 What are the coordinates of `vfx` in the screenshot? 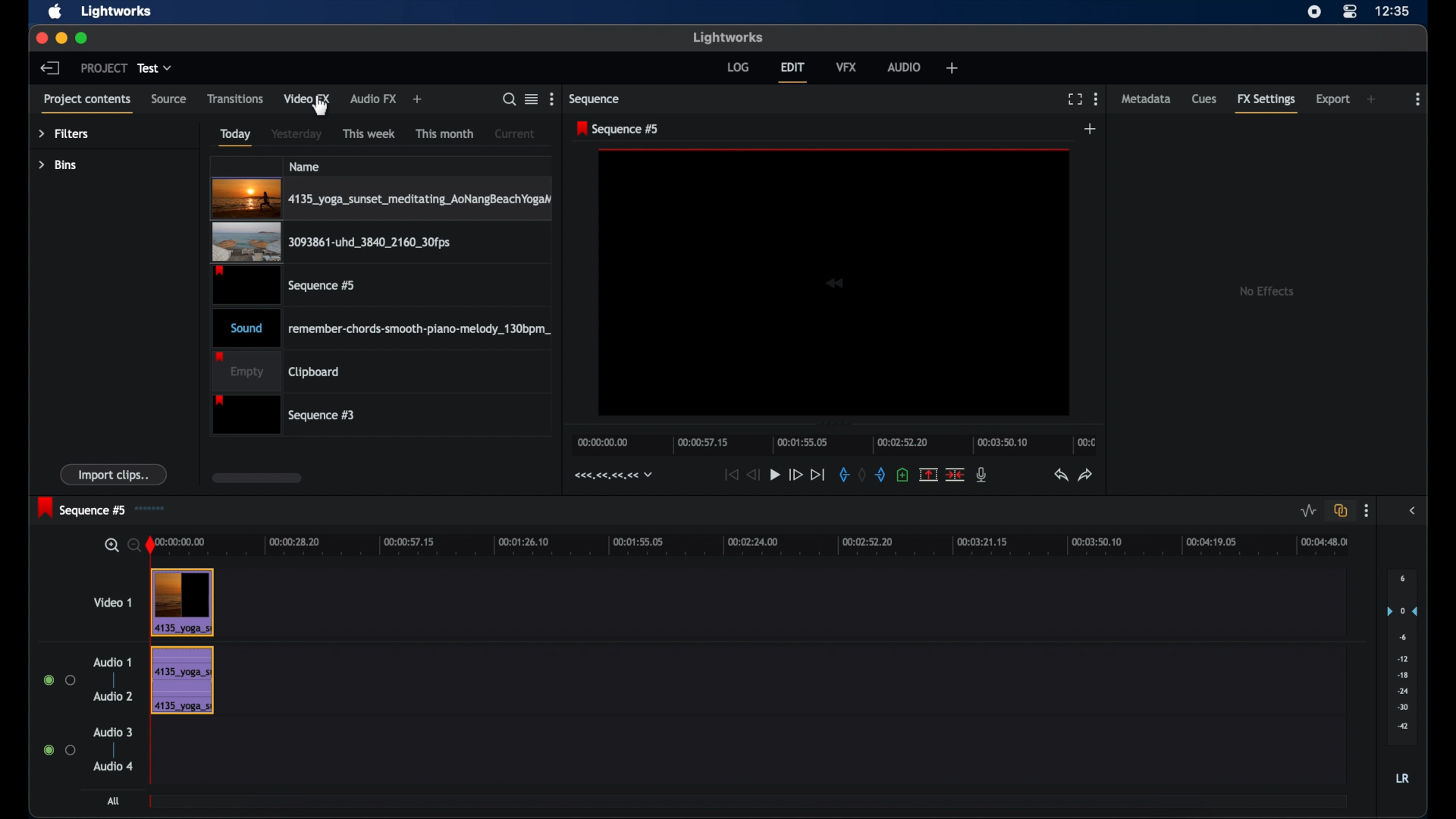 It's located at (847, 67).